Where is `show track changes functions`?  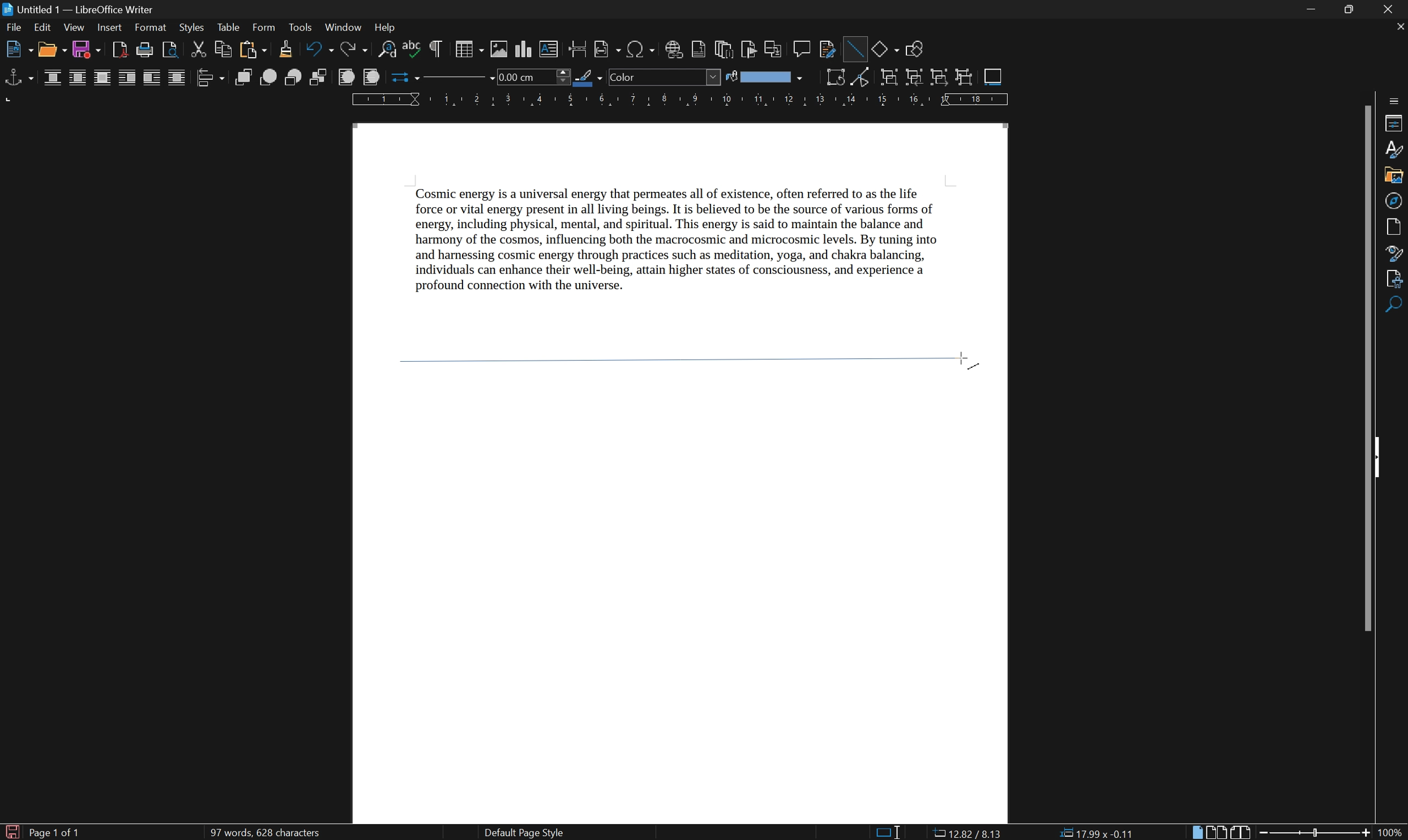
show track changes functions is located at coordinates (828, 50).